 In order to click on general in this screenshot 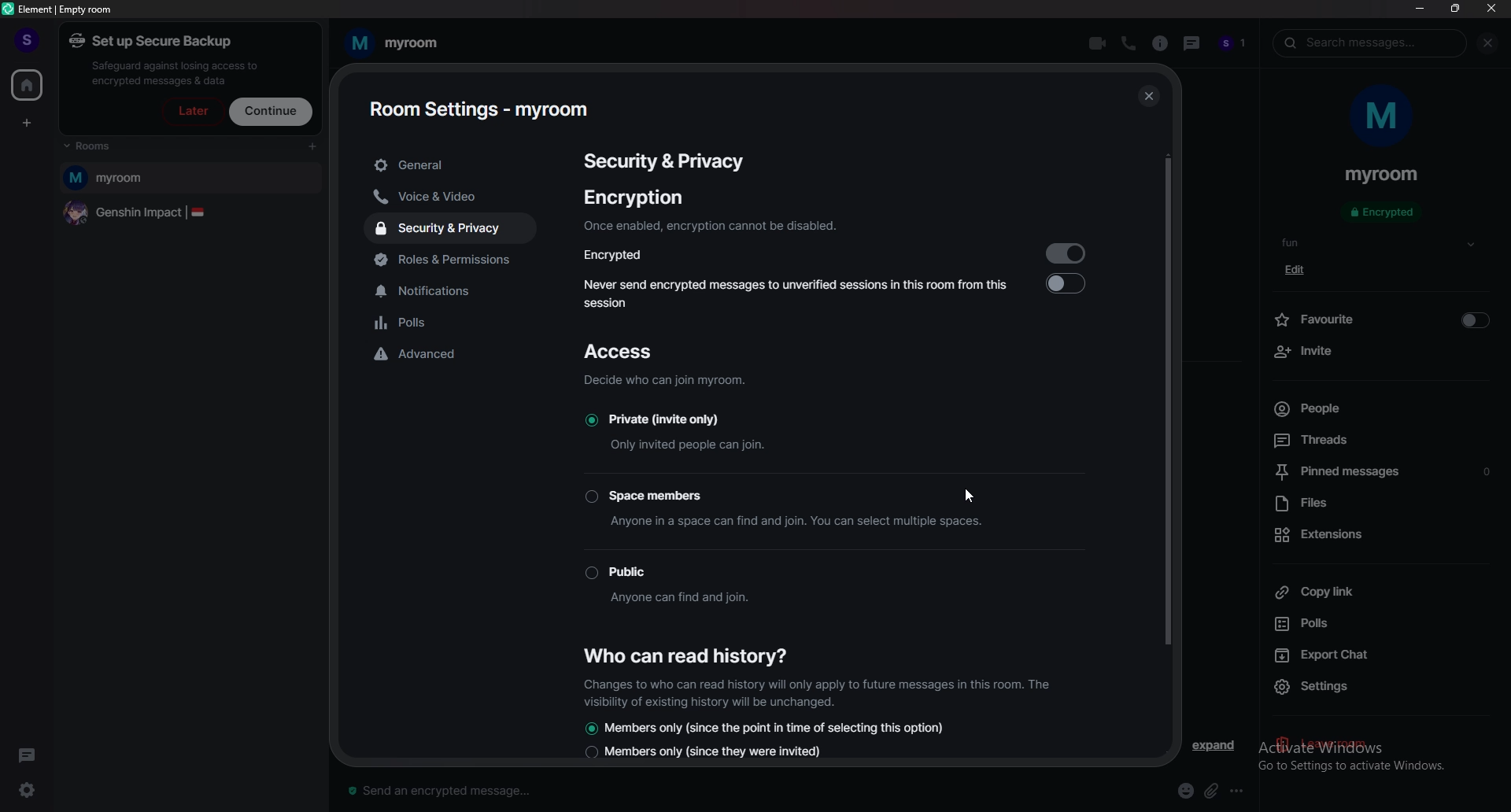, I will do `click(451, 166)`.